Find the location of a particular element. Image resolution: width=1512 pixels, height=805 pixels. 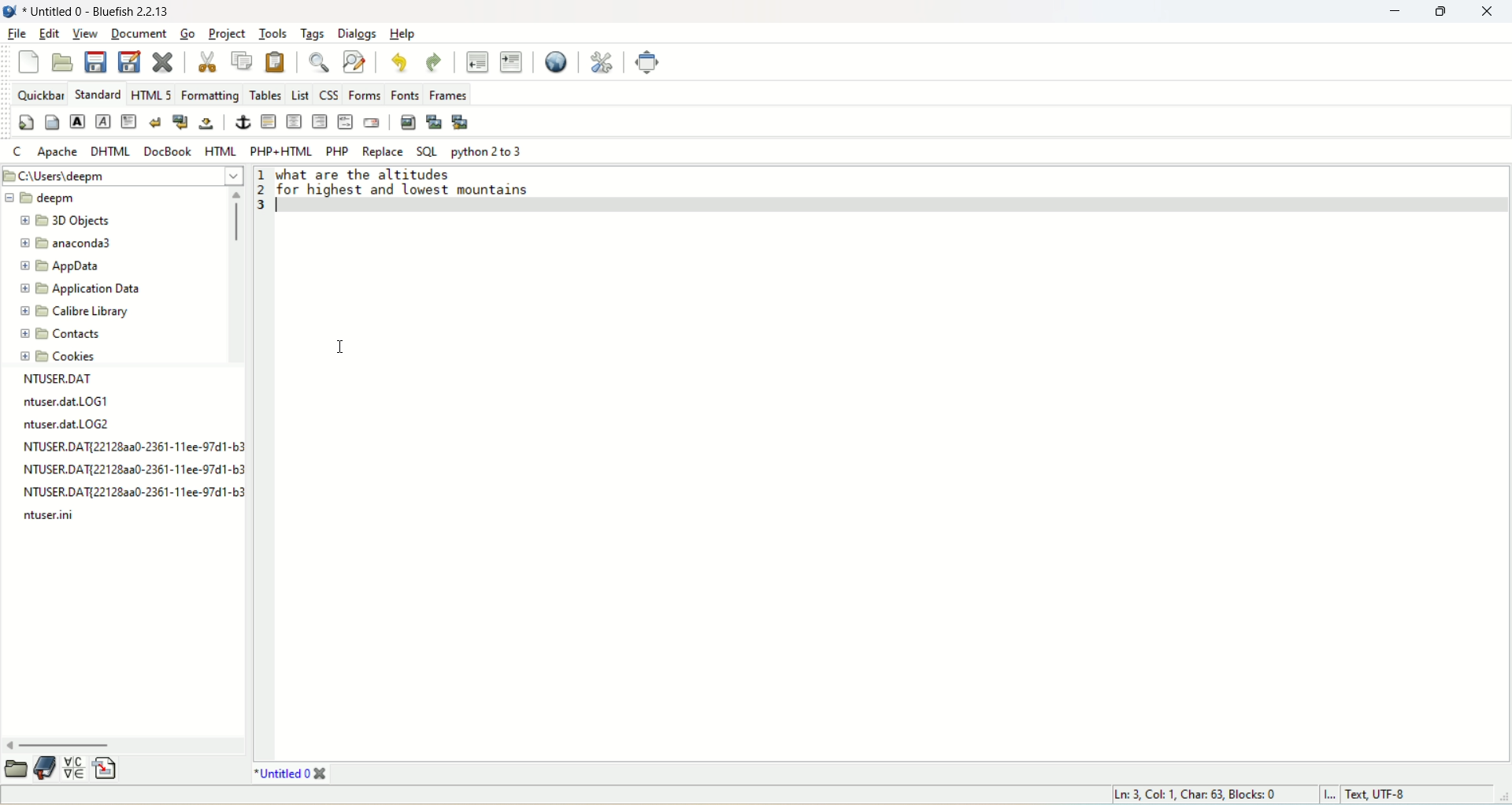

SQL is located at coordinates (426, 153).